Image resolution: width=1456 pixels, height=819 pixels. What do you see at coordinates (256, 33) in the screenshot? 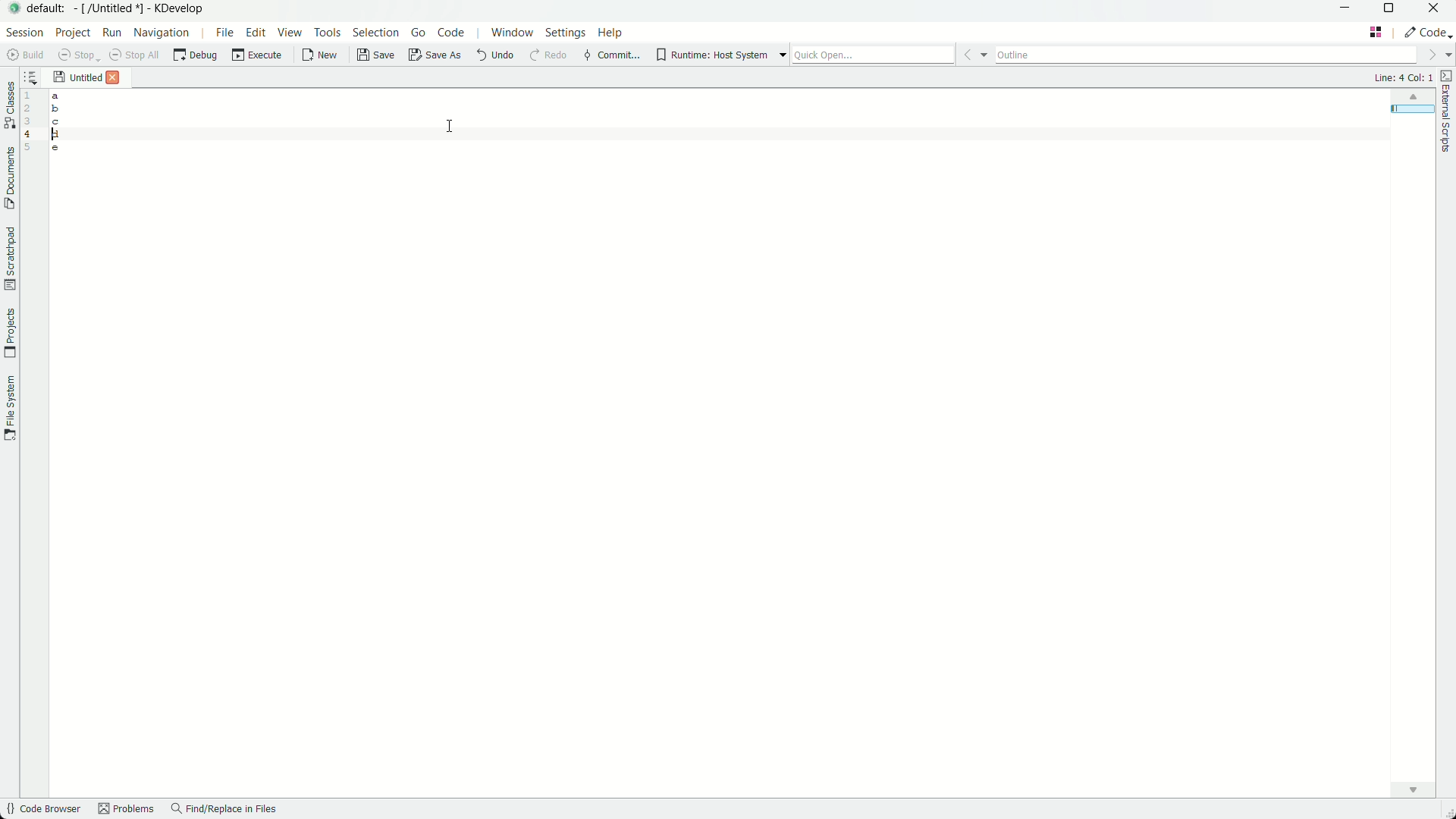
I see `edit` at bounding box center [256, 33].